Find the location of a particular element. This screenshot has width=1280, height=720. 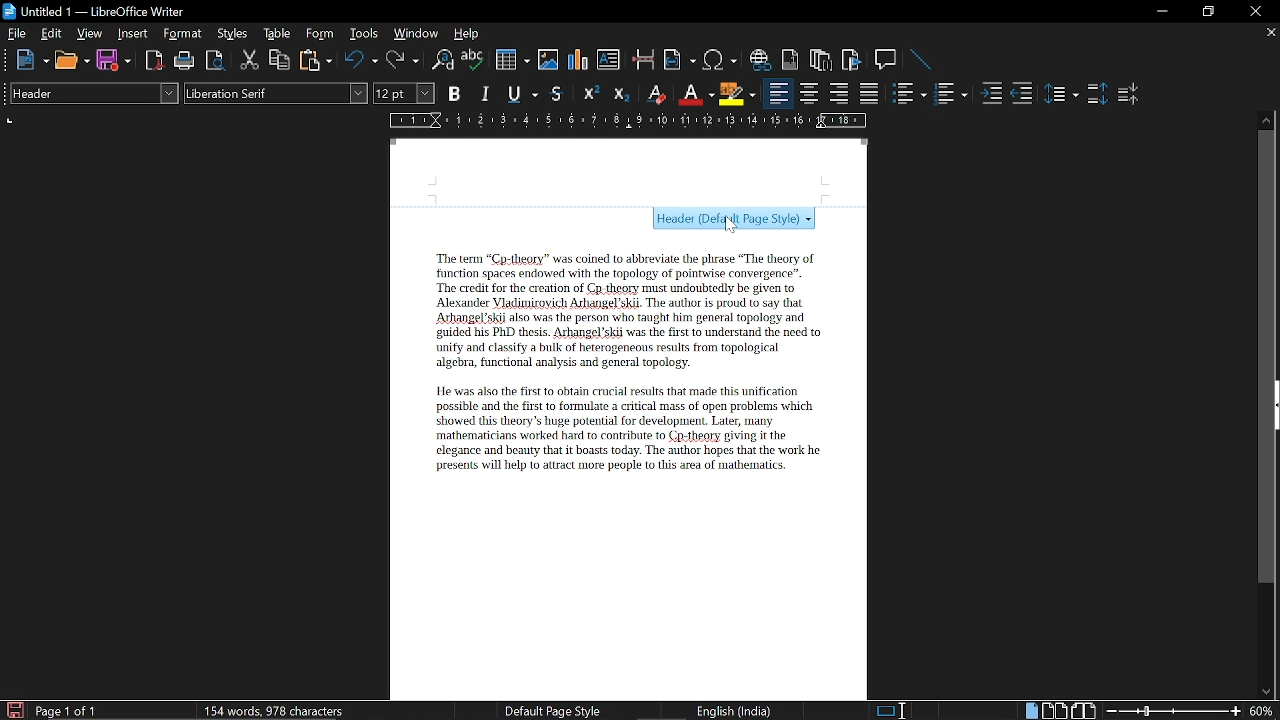

Print is located at coordinates (185, 61).